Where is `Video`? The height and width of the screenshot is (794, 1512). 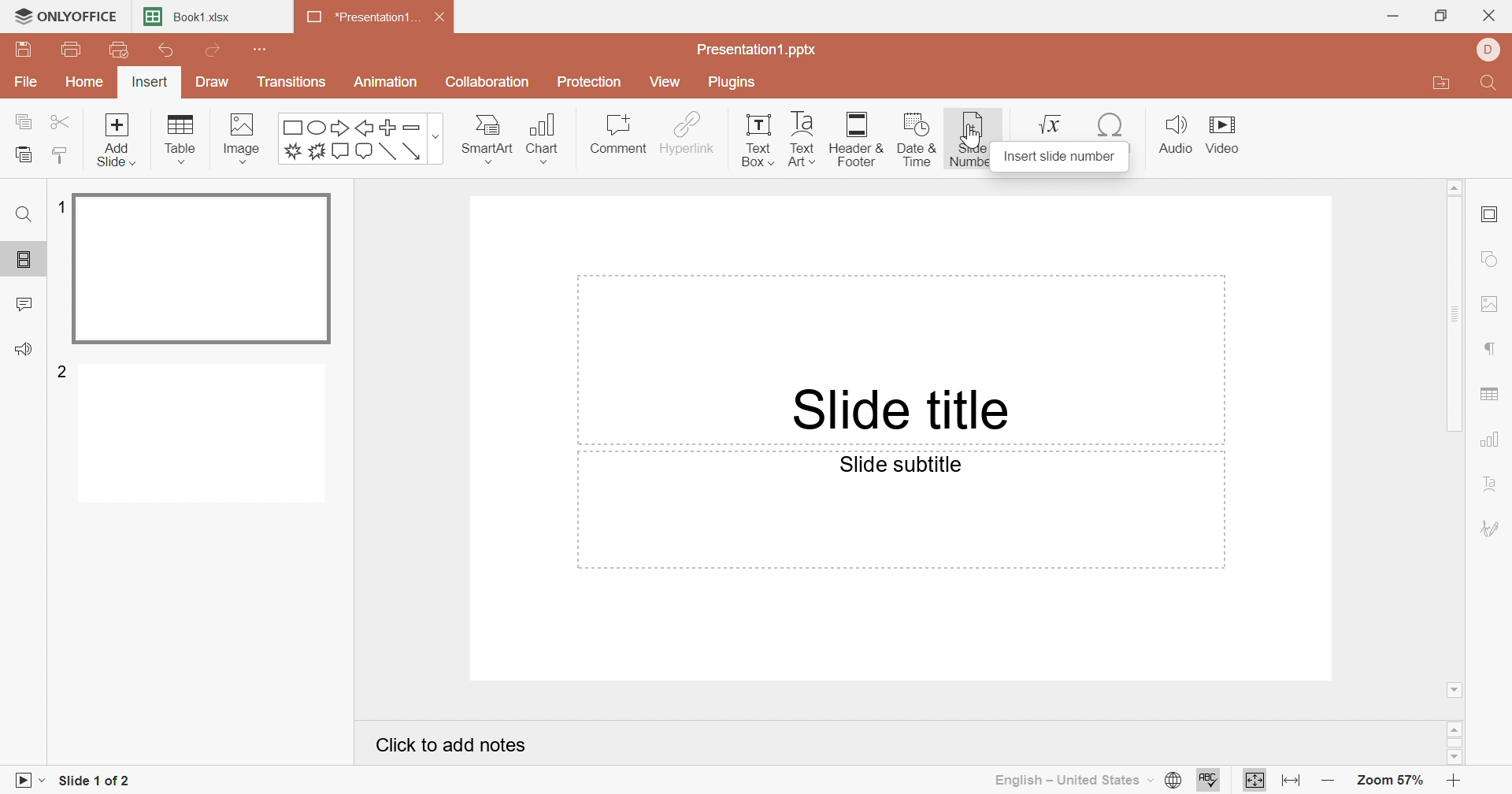 Video is located at coordinates (1229, 137).